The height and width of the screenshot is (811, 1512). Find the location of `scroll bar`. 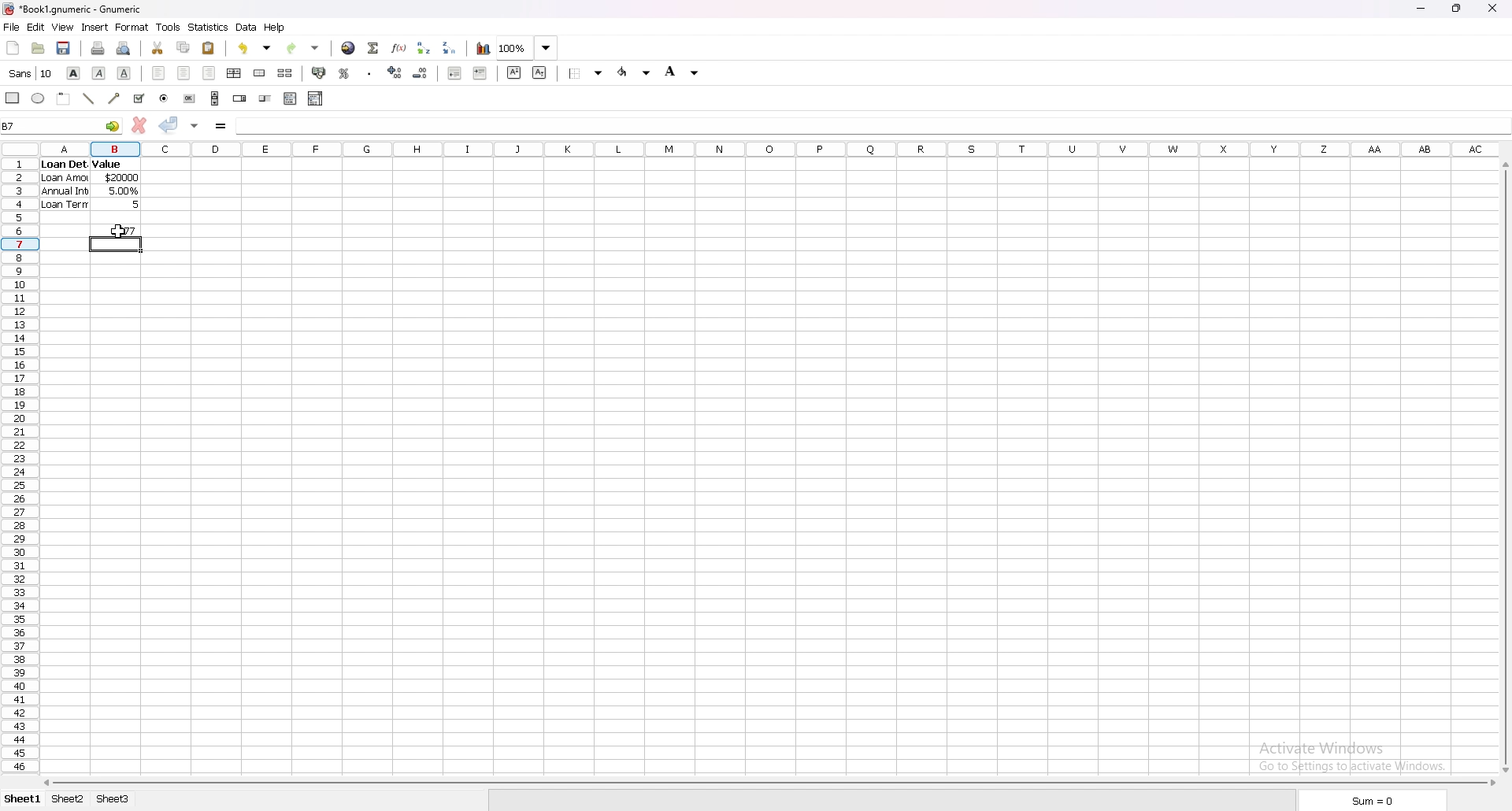

scroll bar is located at coordinates (215, 98).